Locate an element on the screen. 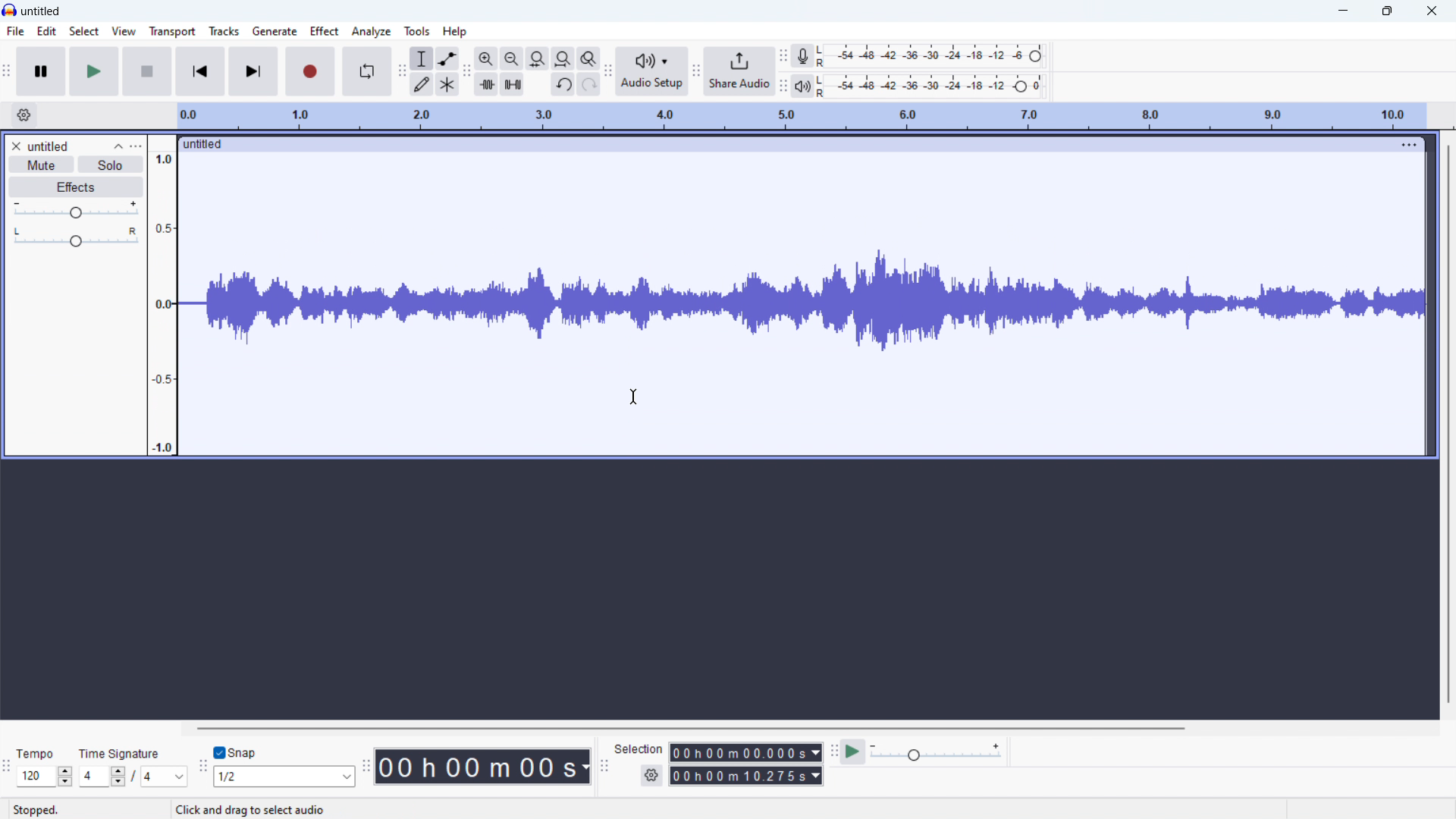 This screenshot has width=1456, height=819. click to move is located at coordinates (782, 143).